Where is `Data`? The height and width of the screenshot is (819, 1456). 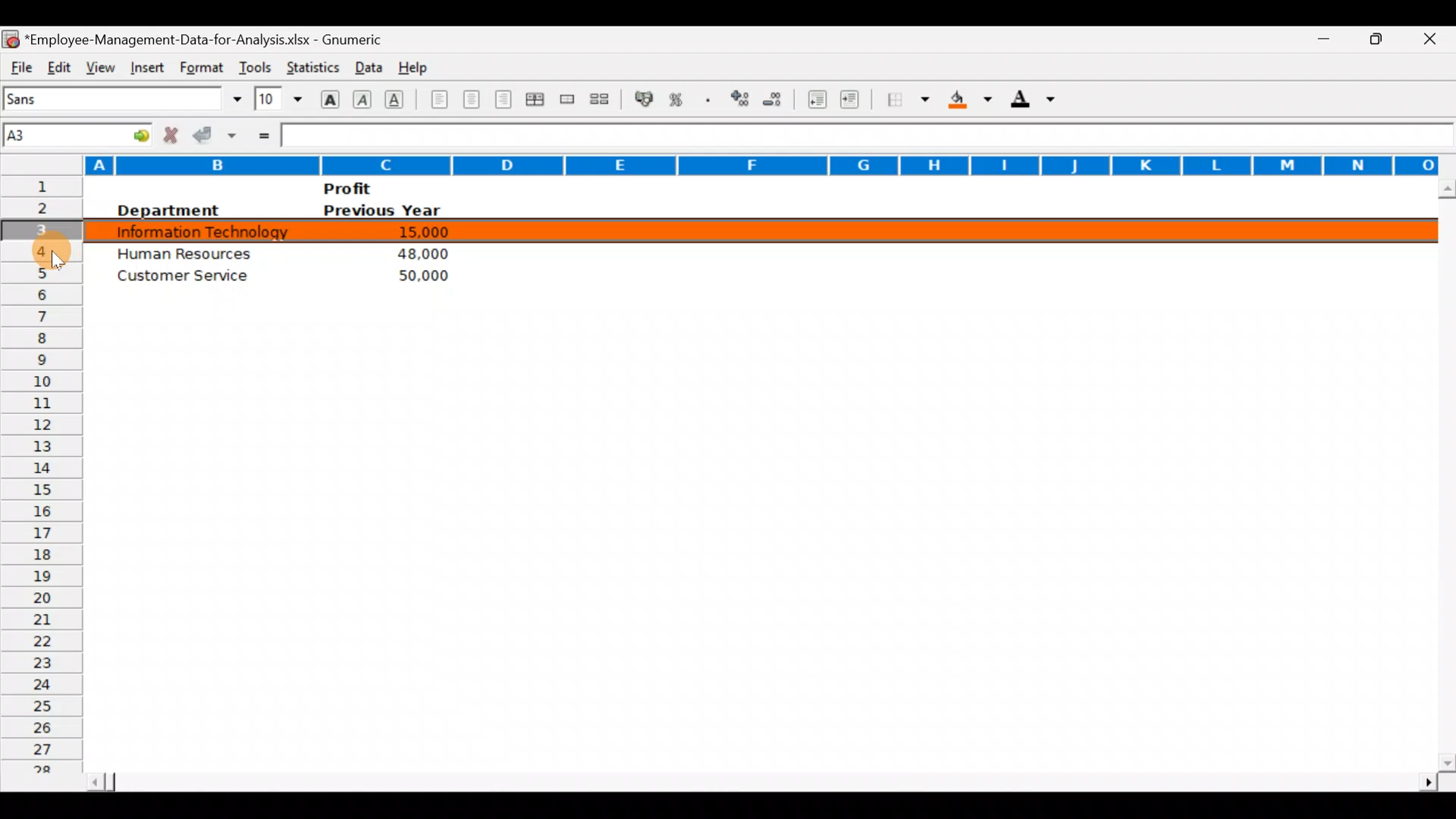 Data is located at coordinates (365, 64).